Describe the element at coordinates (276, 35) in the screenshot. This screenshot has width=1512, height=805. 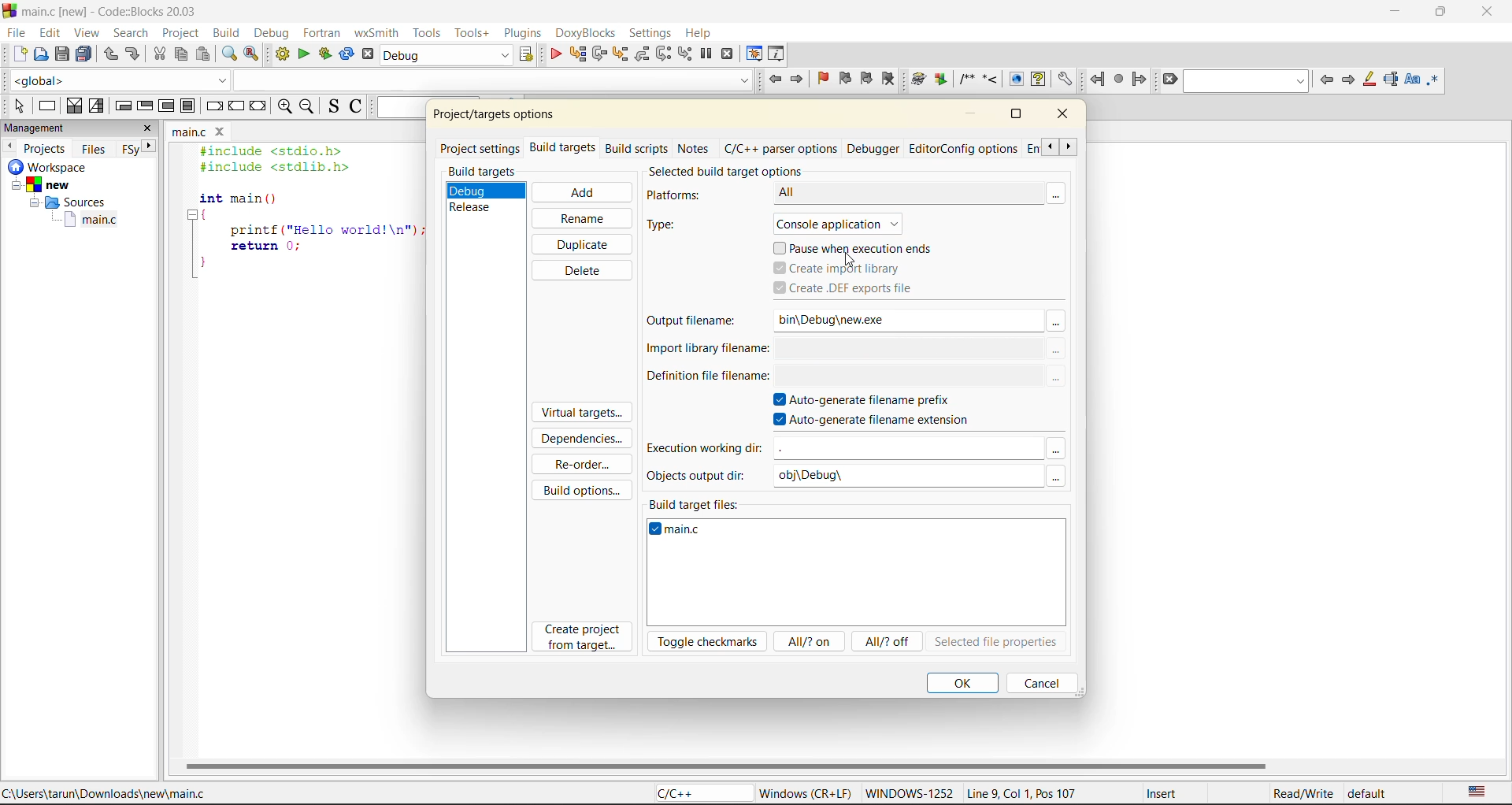
I see `debug` at that location.